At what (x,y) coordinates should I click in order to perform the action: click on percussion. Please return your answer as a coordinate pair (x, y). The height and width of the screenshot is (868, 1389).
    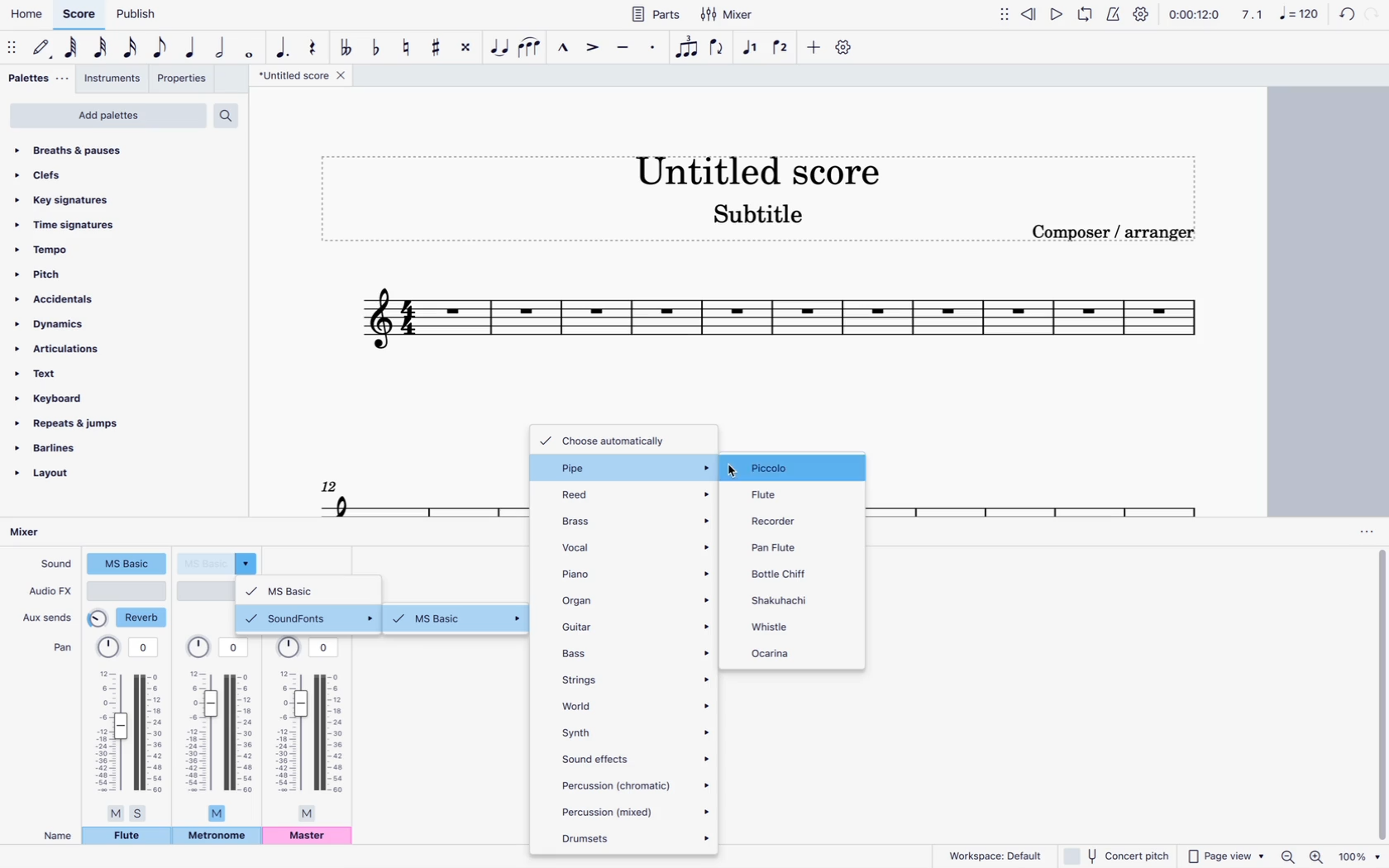
    Looking at the image, I should click on (637, 785).